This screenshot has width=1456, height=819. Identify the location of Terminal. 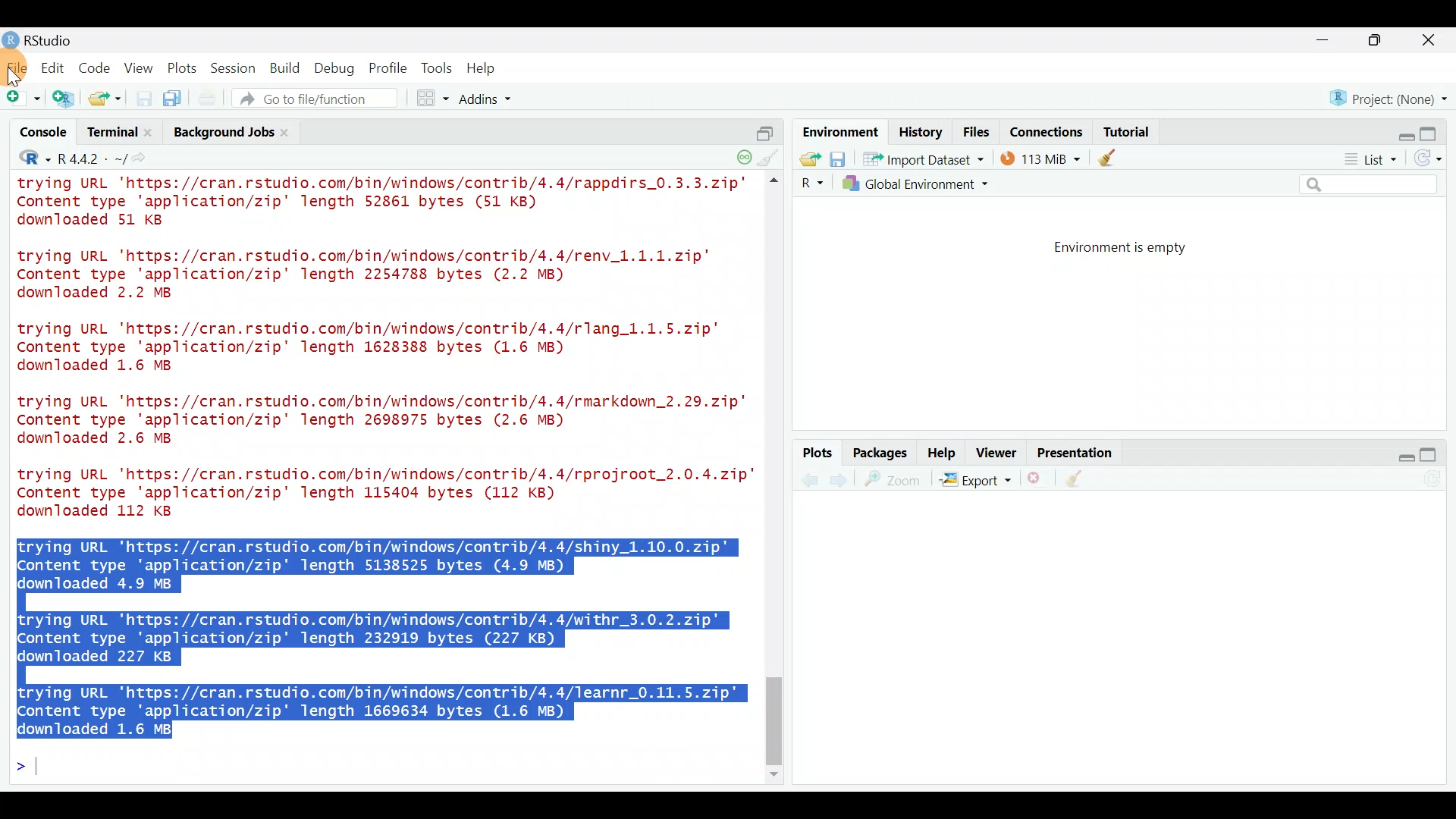
(111, 134).